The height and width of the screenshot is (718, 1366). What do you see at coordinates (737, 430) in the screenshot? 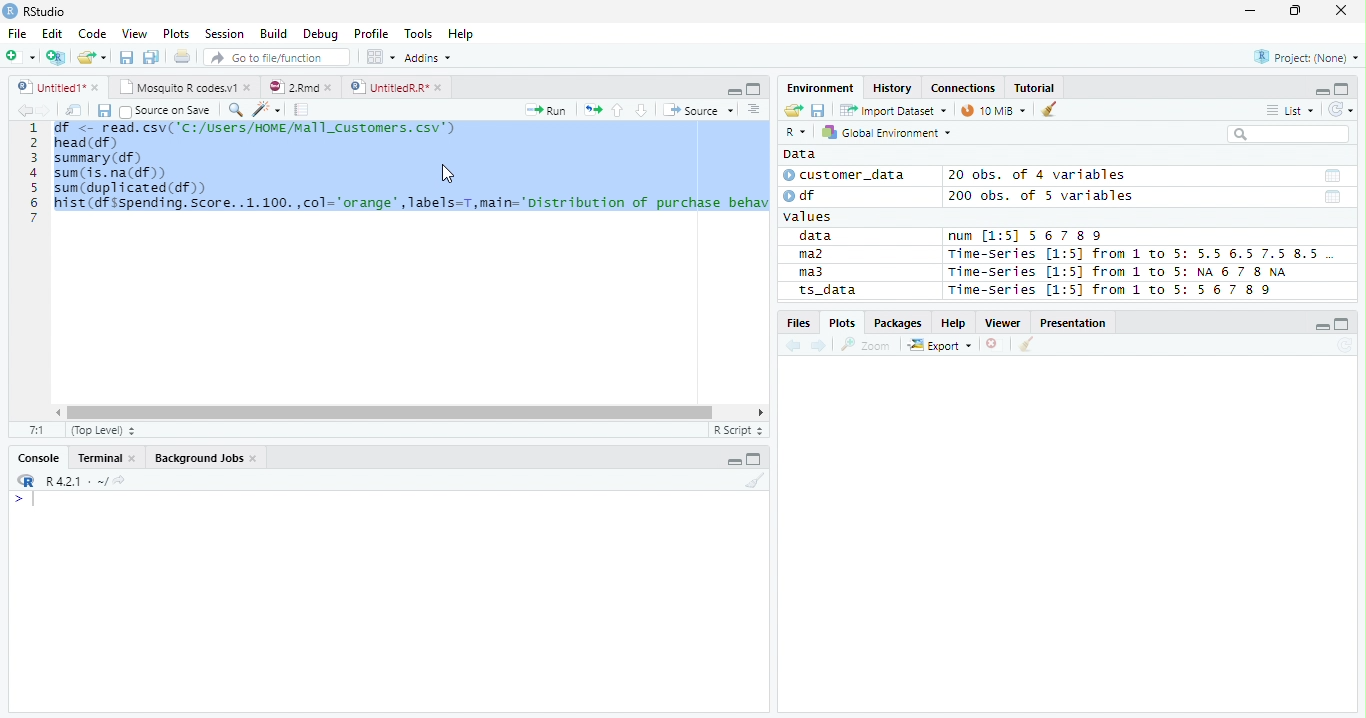
I see `R script` at bounding box center [737, 430].